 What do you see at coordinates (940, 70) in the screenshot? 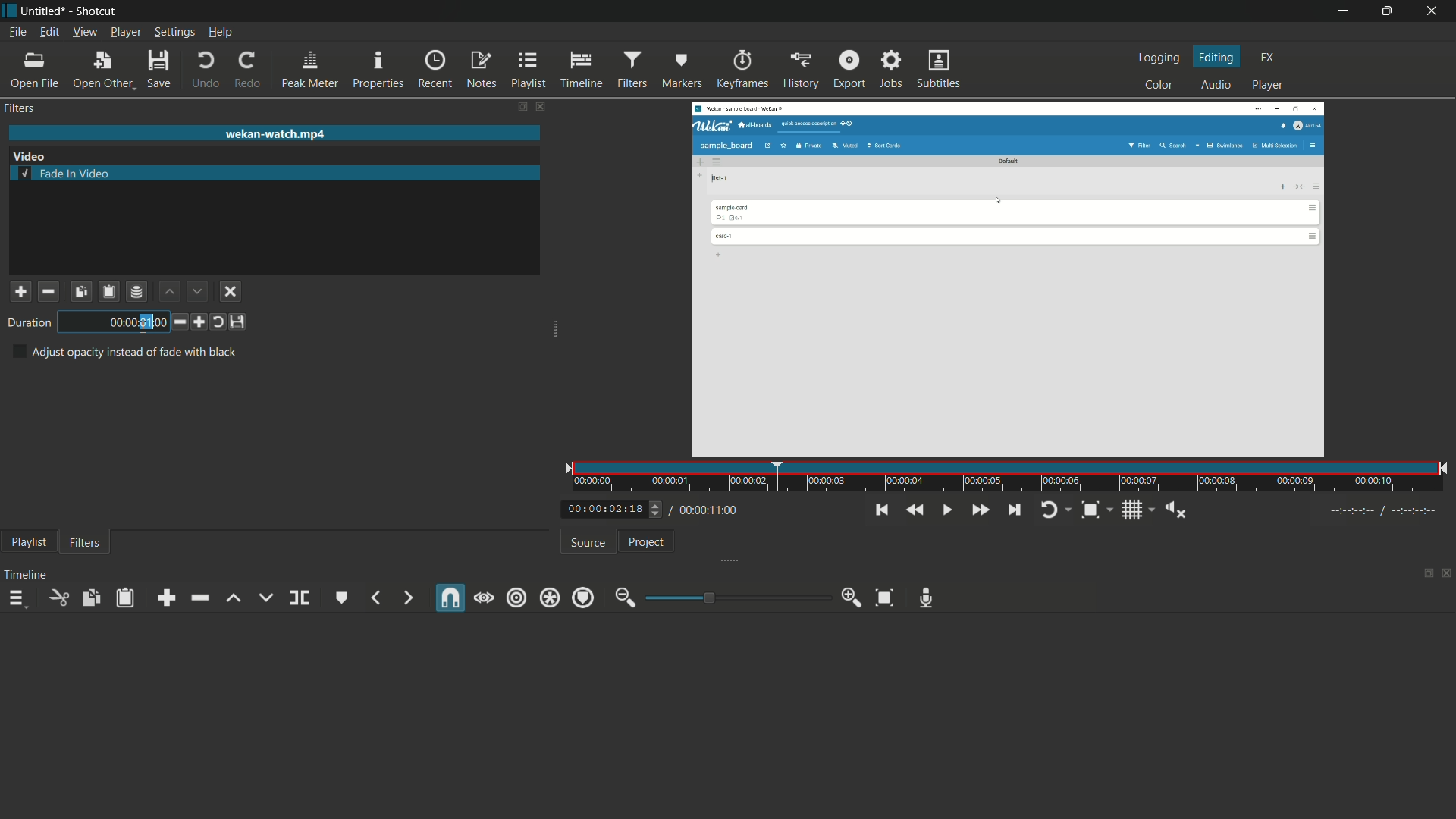
I see `subtitles` at bounding box center [940, 70].